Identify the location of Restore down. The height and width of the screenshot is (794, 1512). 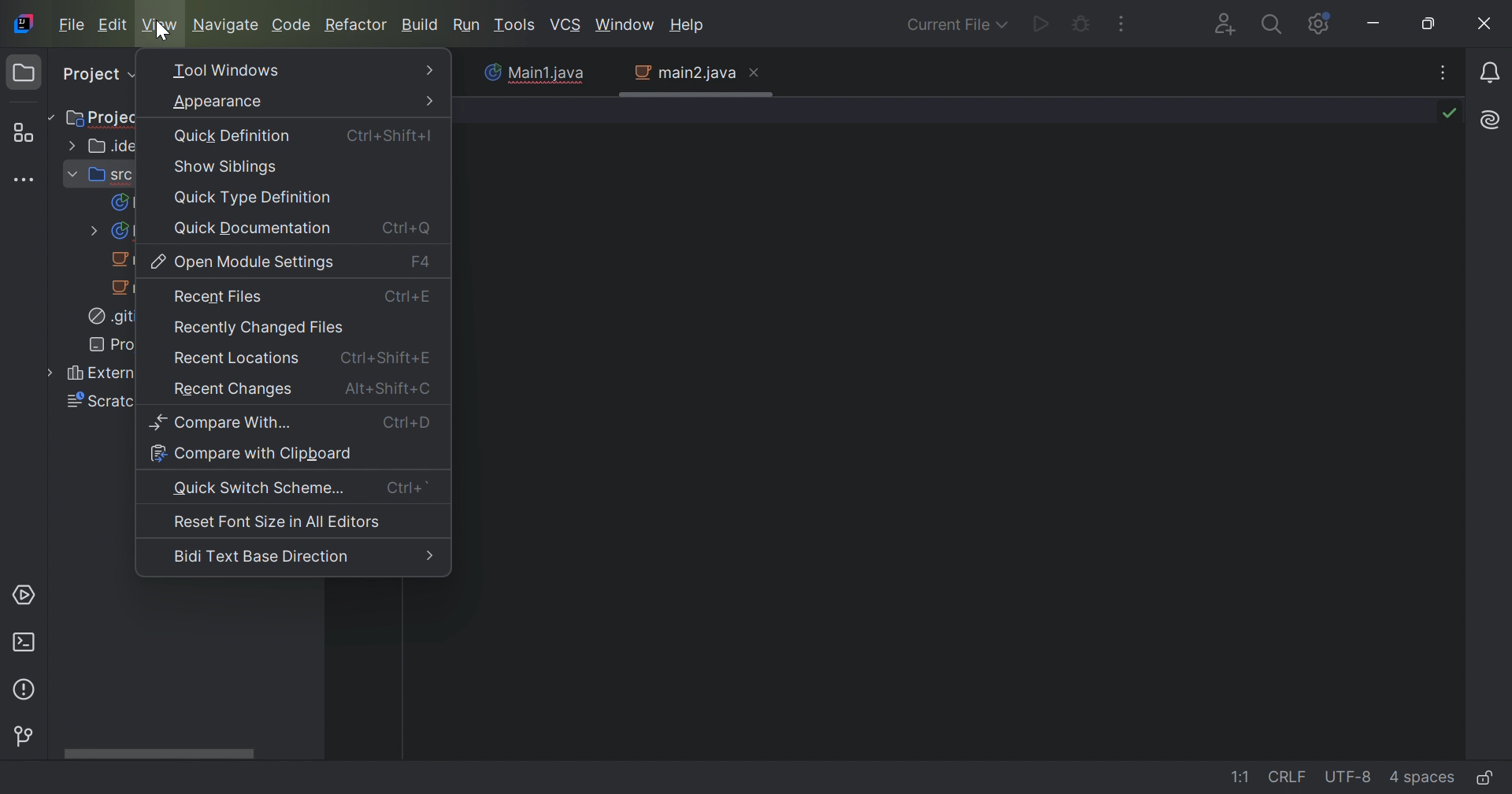
(1429, 24).